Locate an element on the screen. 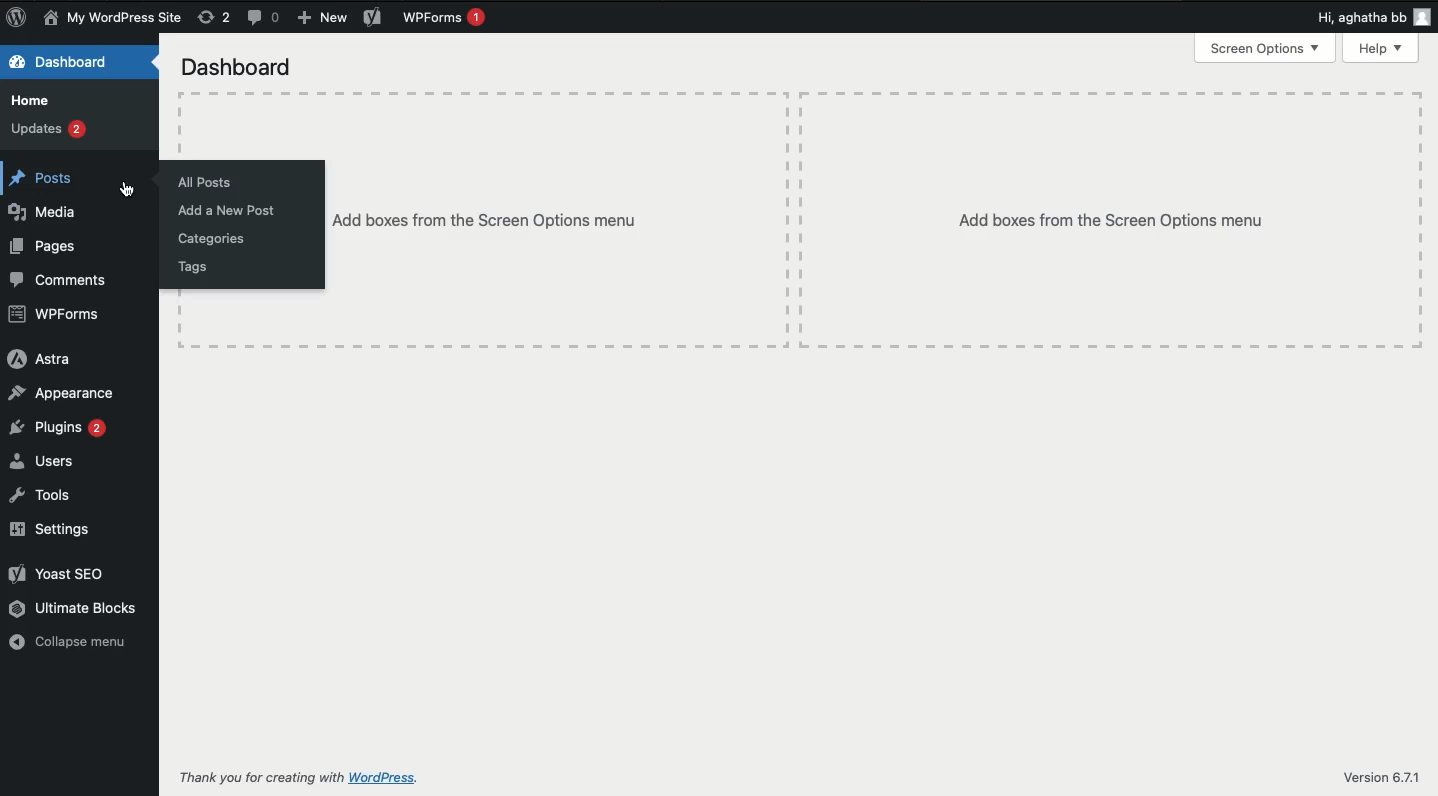 This screenshot has width=1438, height=796. Appearance is located at coordinates (65, 394).